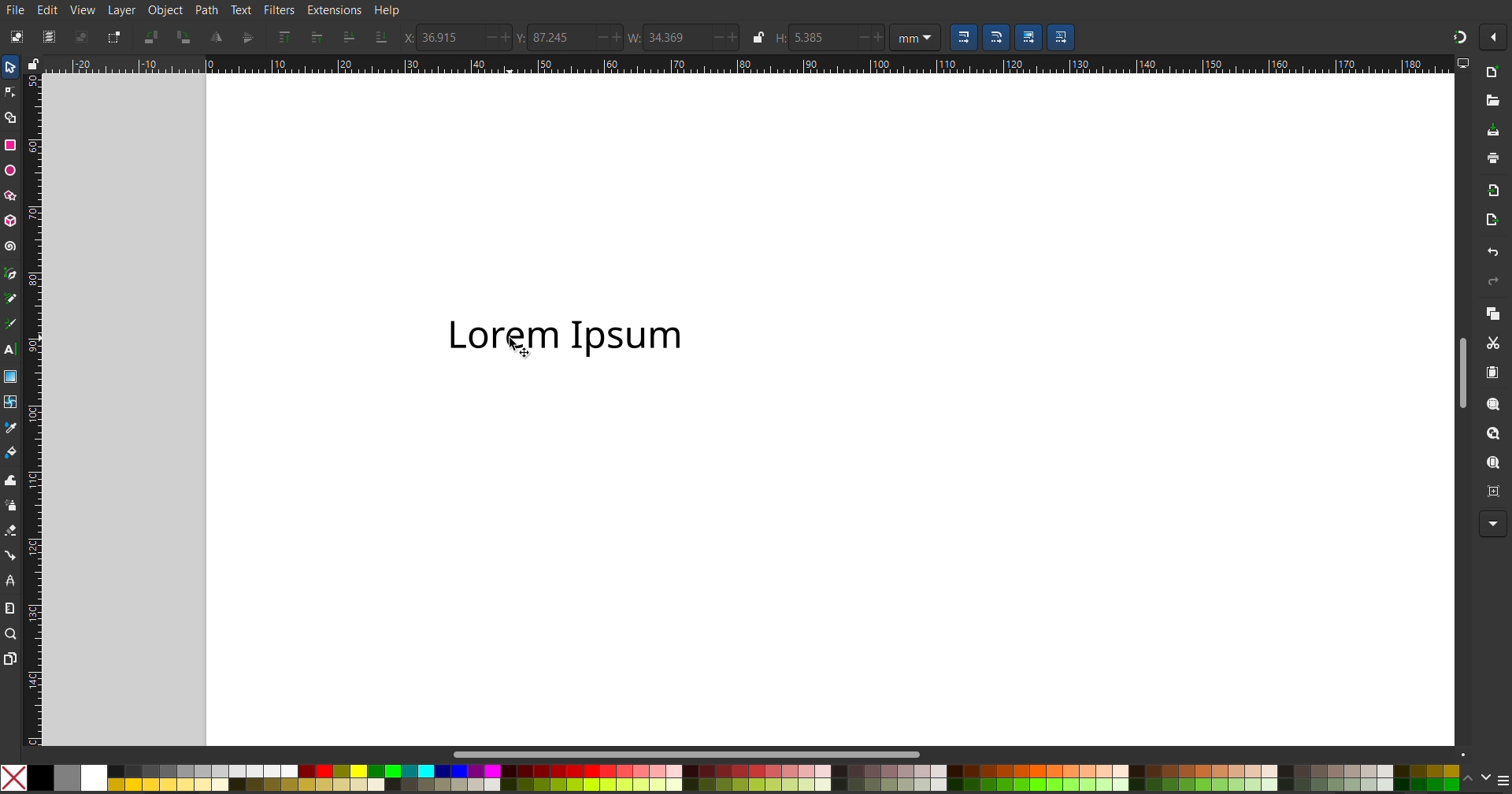 The width and height of the screenshot is (1512, 794). I want to click on Help, so click(391, 11).